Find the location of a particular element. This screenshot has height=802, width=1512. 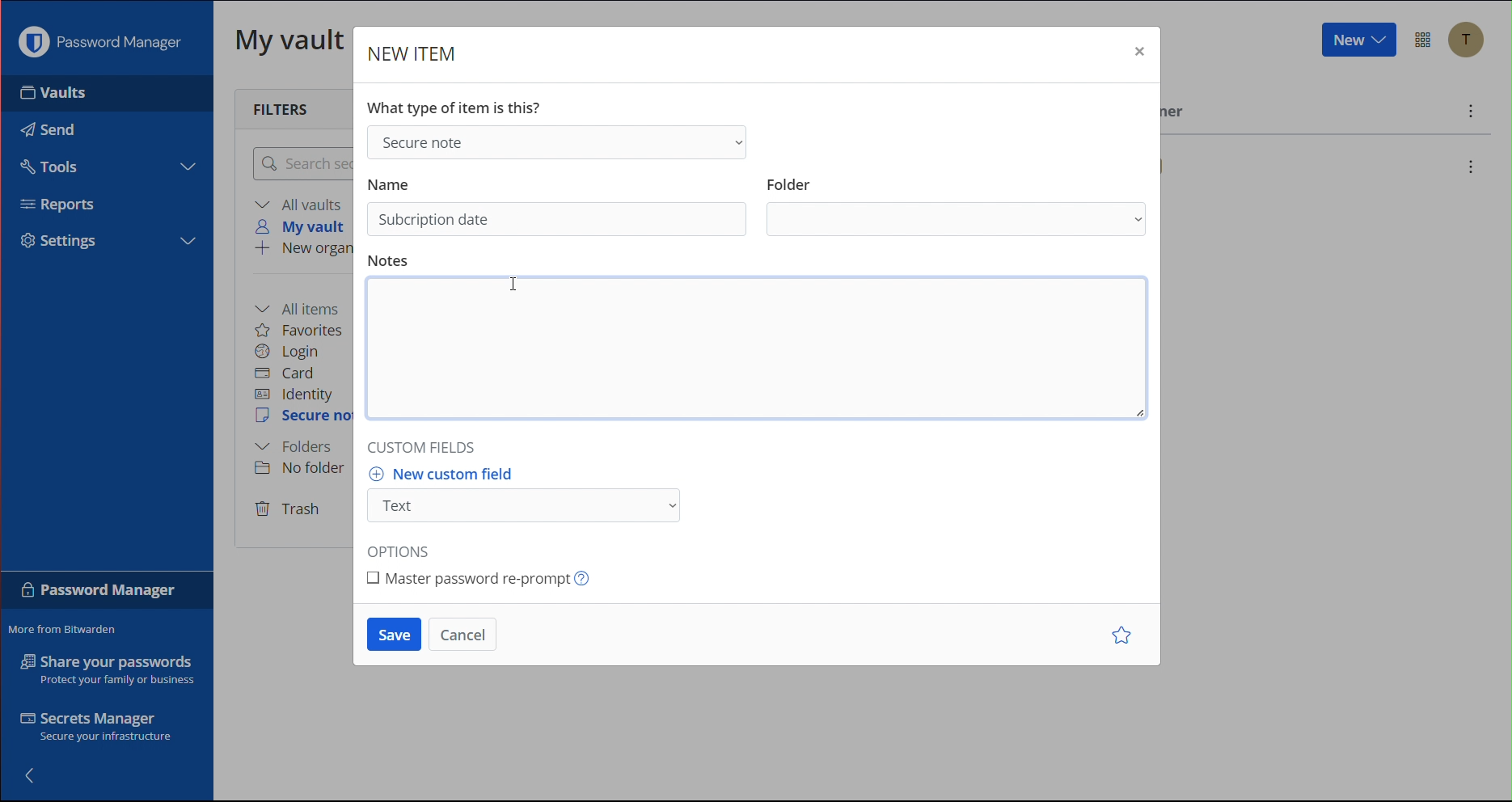

All items is located at coordinates (302, 307).